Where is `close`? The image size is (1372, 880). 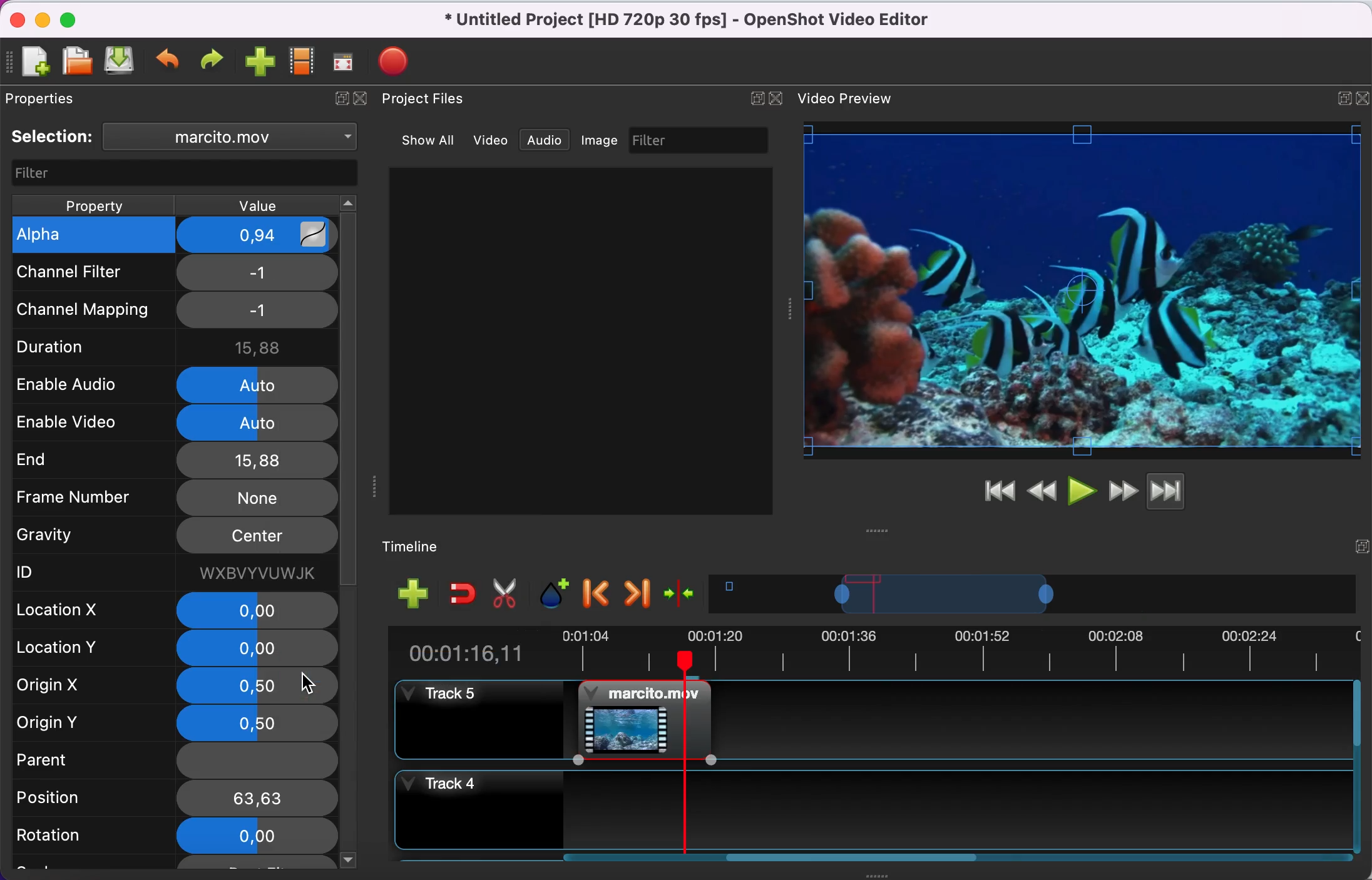
close is located at coordinates (14, 18).